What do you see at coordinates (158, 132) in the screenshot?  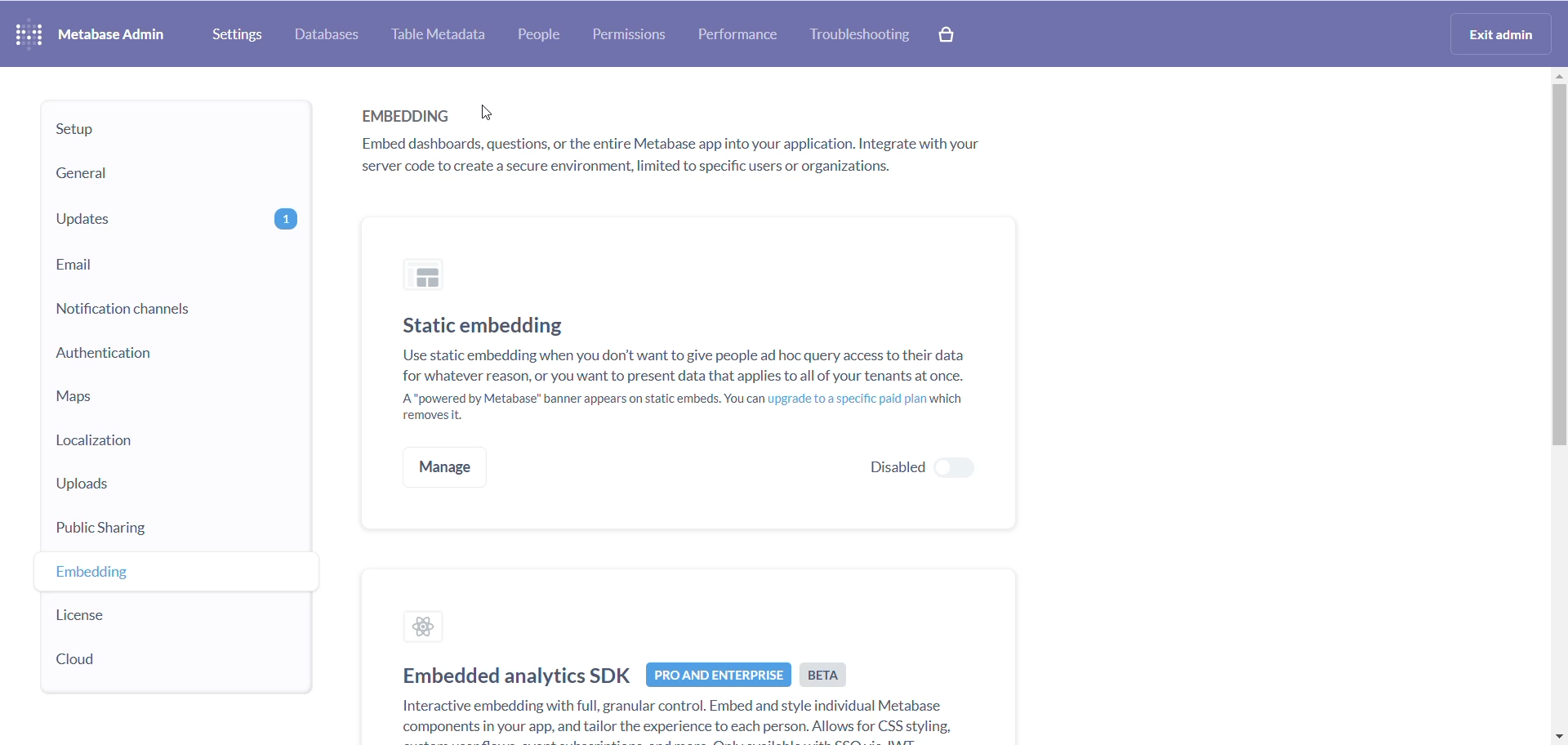 I see `setup` at bounding box center [158, 132].